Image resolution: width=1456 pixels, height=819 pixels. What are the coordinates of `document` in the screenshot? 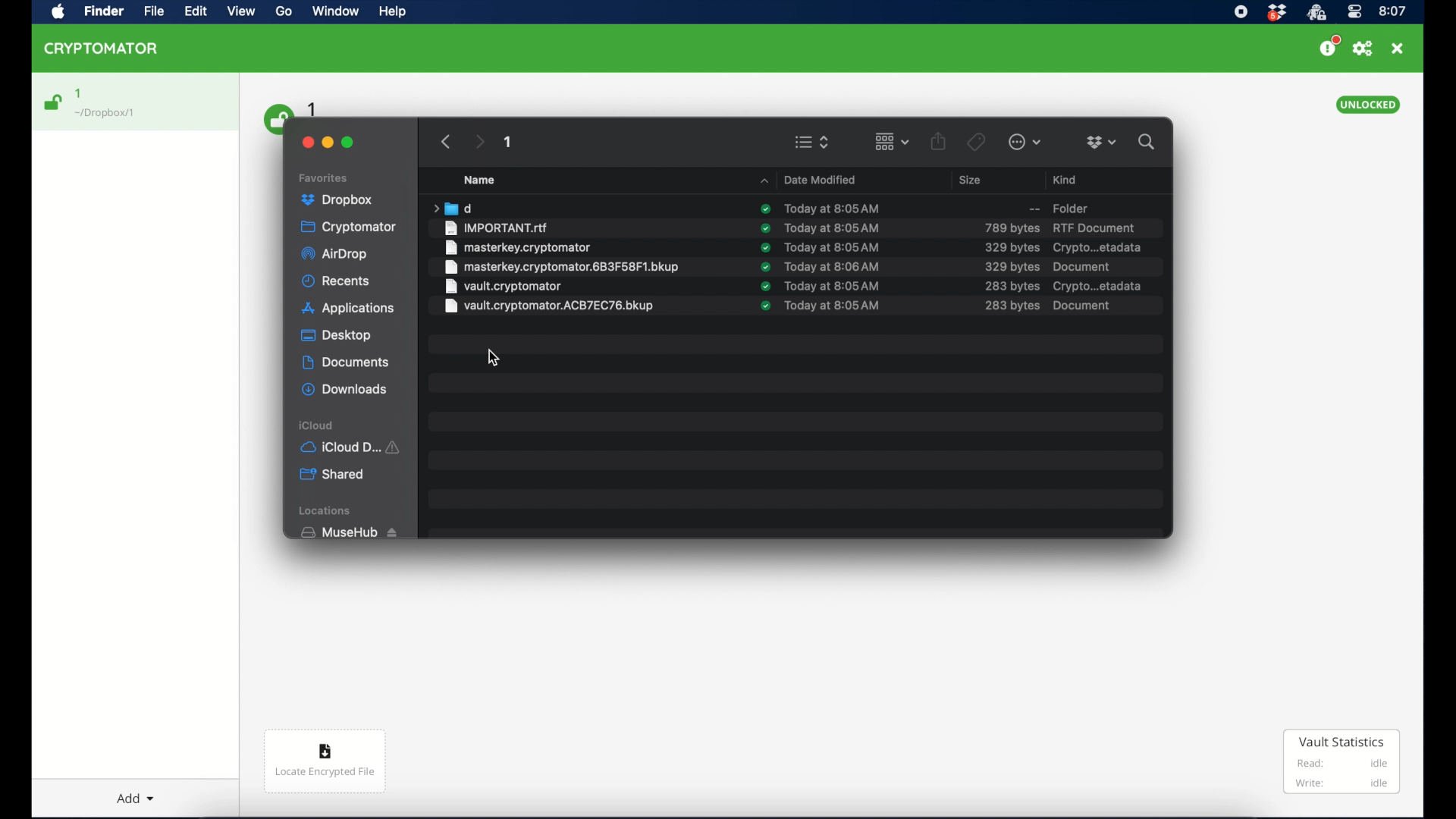 It's located at (1081, 305).